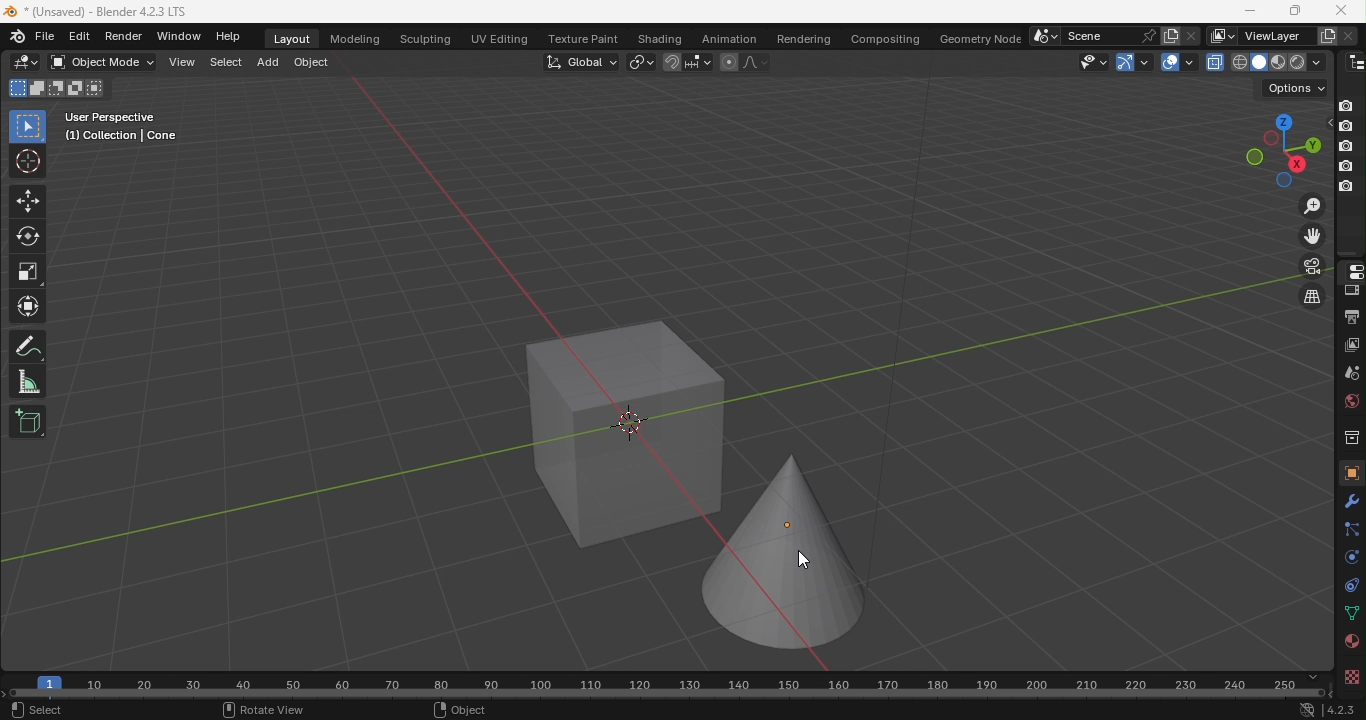 Image resolution: width=1366 pixels, height=720 pixels. Describe the element at coordinates (1249, 10) in the screenshot. I see `Minimize` at that location.